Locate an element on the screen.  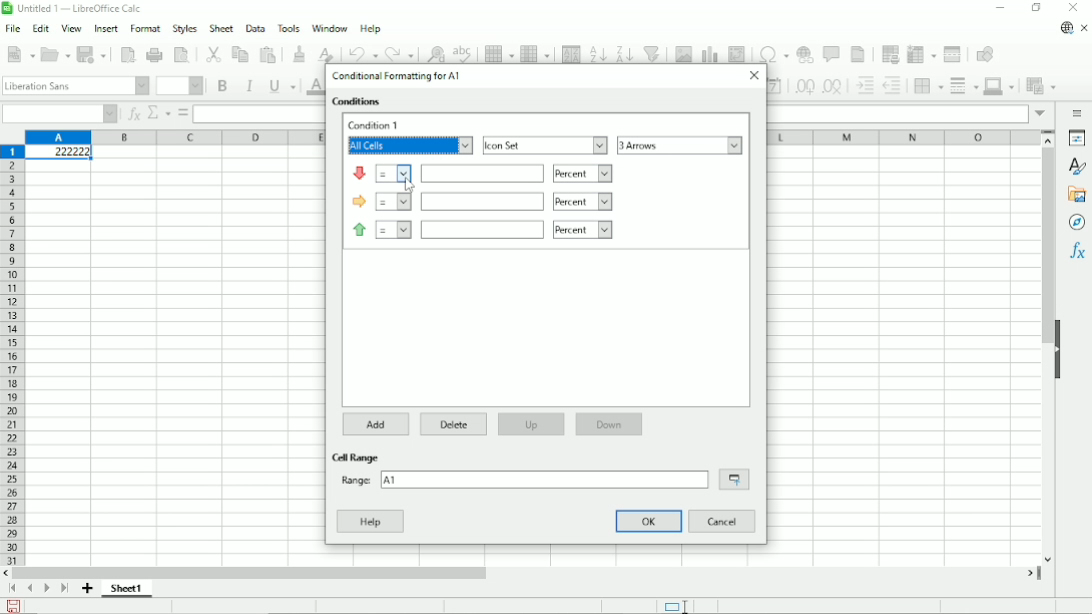
expand formula bar is located at coordinates (1040, 113).